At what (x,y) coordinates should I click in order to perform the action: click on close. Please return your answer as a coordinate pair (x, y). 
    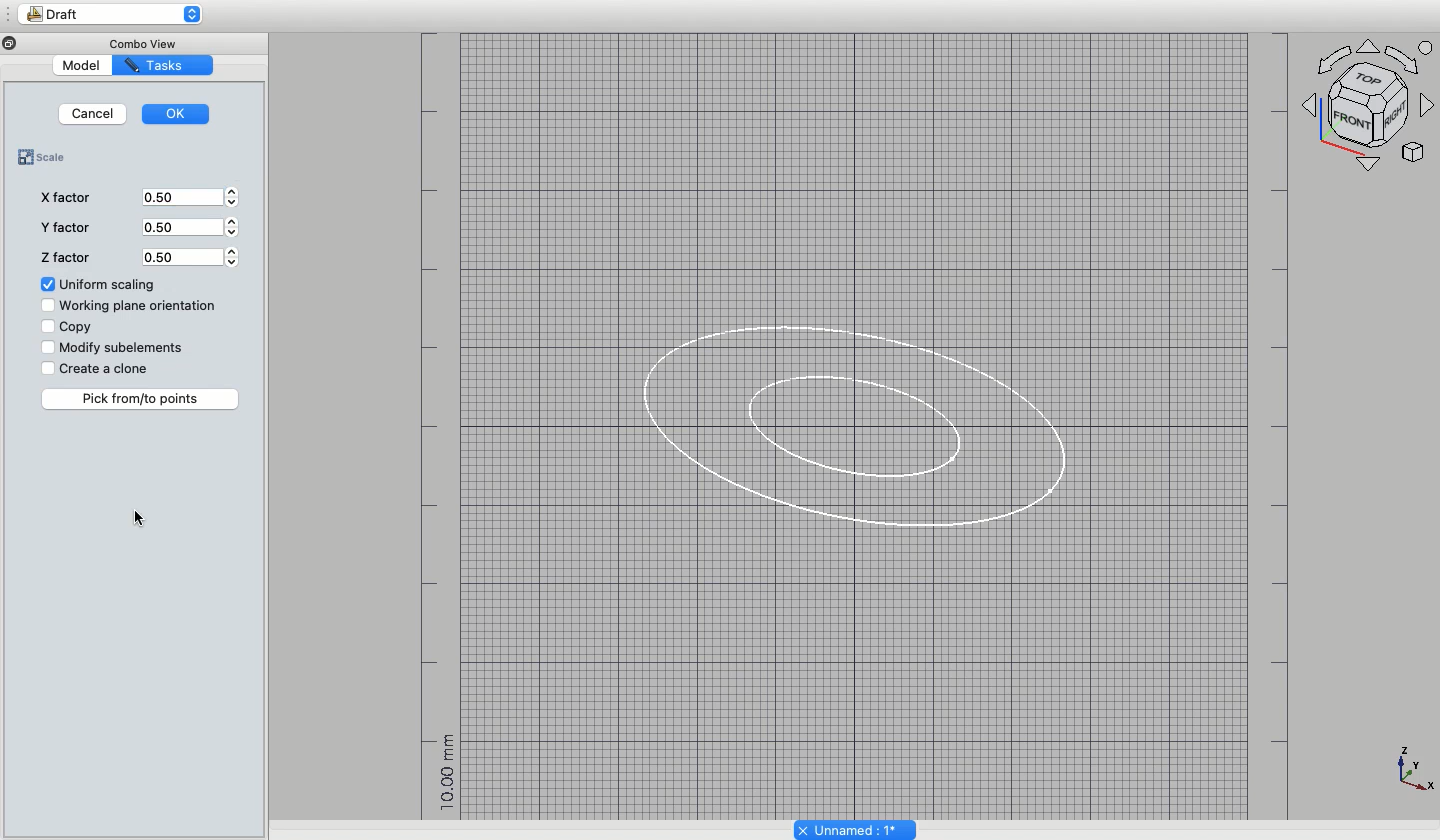
    Looking at the image, I should click on (9, 43).